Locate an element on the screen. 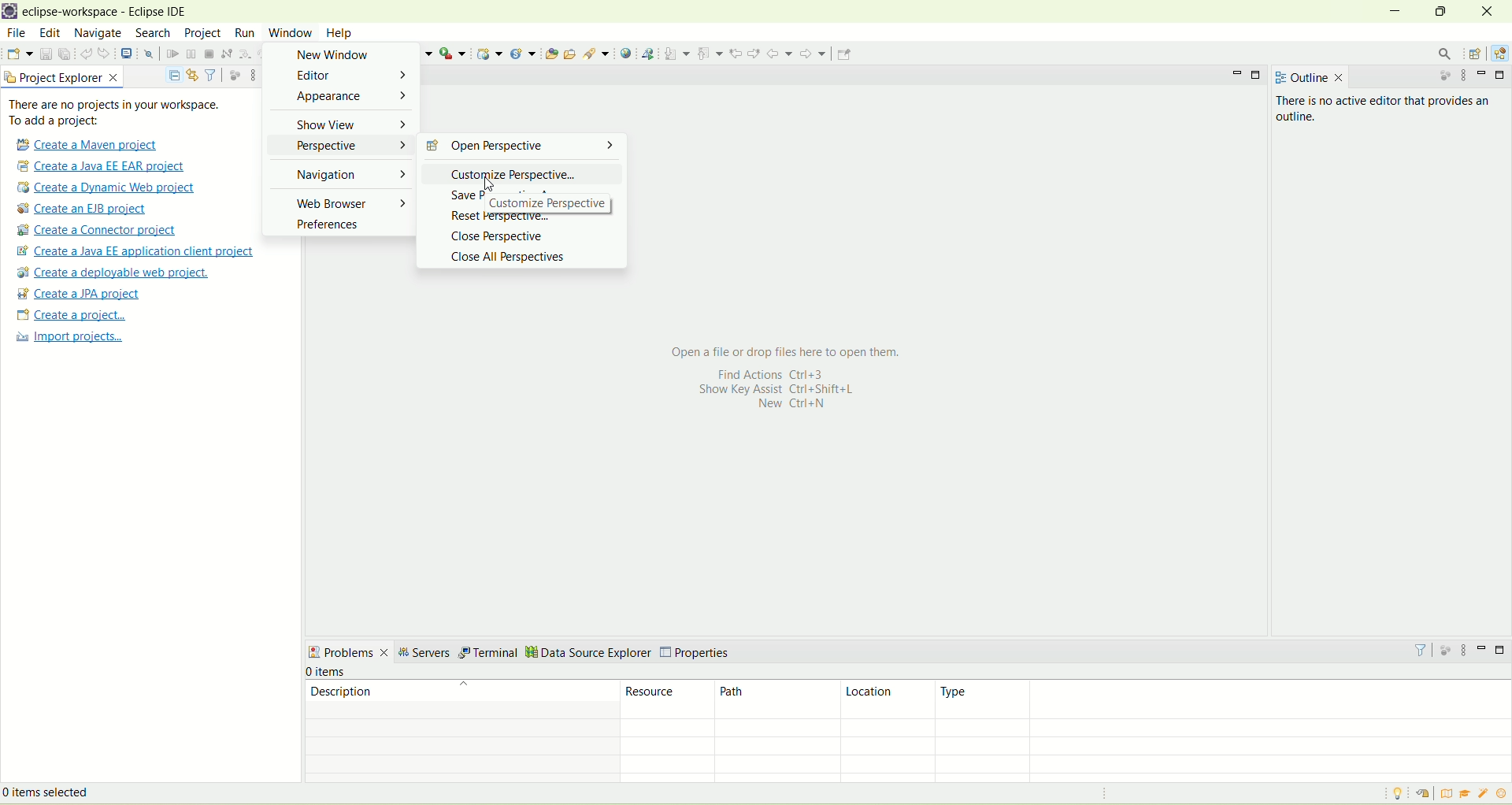 This screenshot has height=805, width=1512. next annotation is located at coordinates (676, 54).